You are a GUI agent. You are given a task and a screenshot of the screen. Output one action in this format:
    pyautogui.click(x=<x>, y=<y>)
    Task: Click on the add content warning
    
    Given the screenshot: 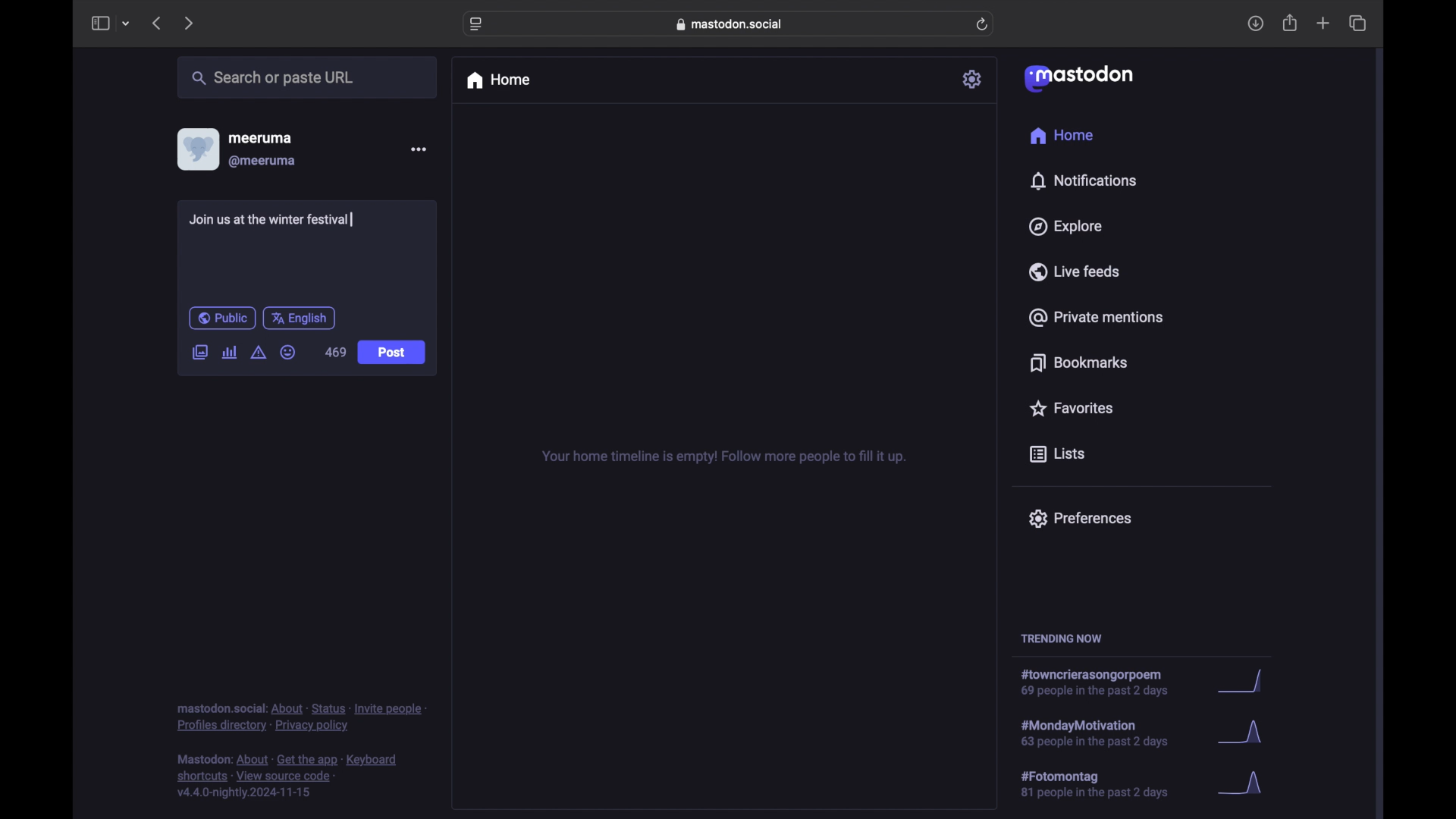 What is the action you would take?
    pyautogui.click(x=258, y=353)
    